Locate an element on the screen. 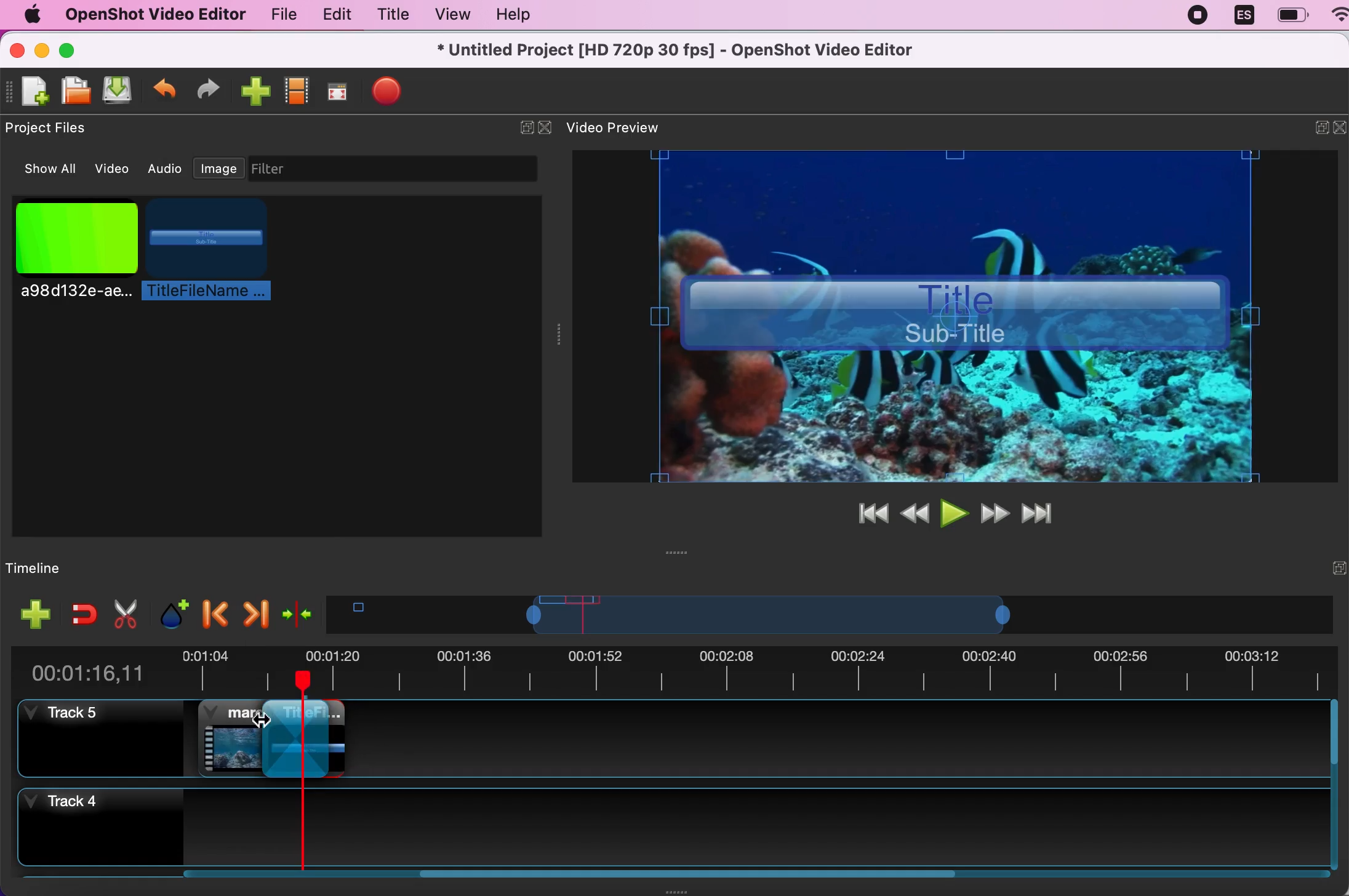 This screenshot has width=1349, height=896. close is located at coordinates (1340, 130).